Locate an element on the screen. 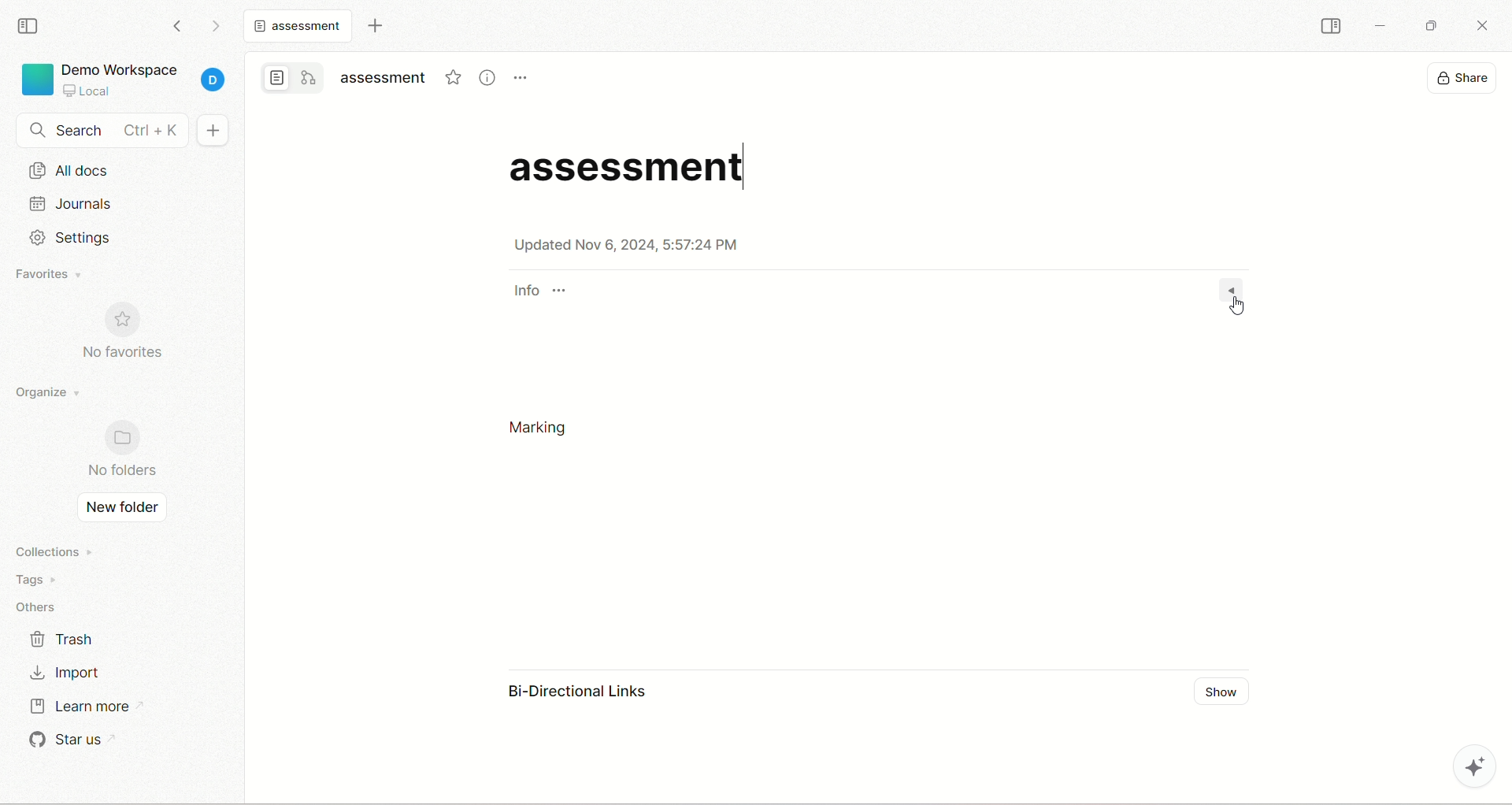 This screenshot has height=805, width=1512. tags is located at coordinates (31, 579).